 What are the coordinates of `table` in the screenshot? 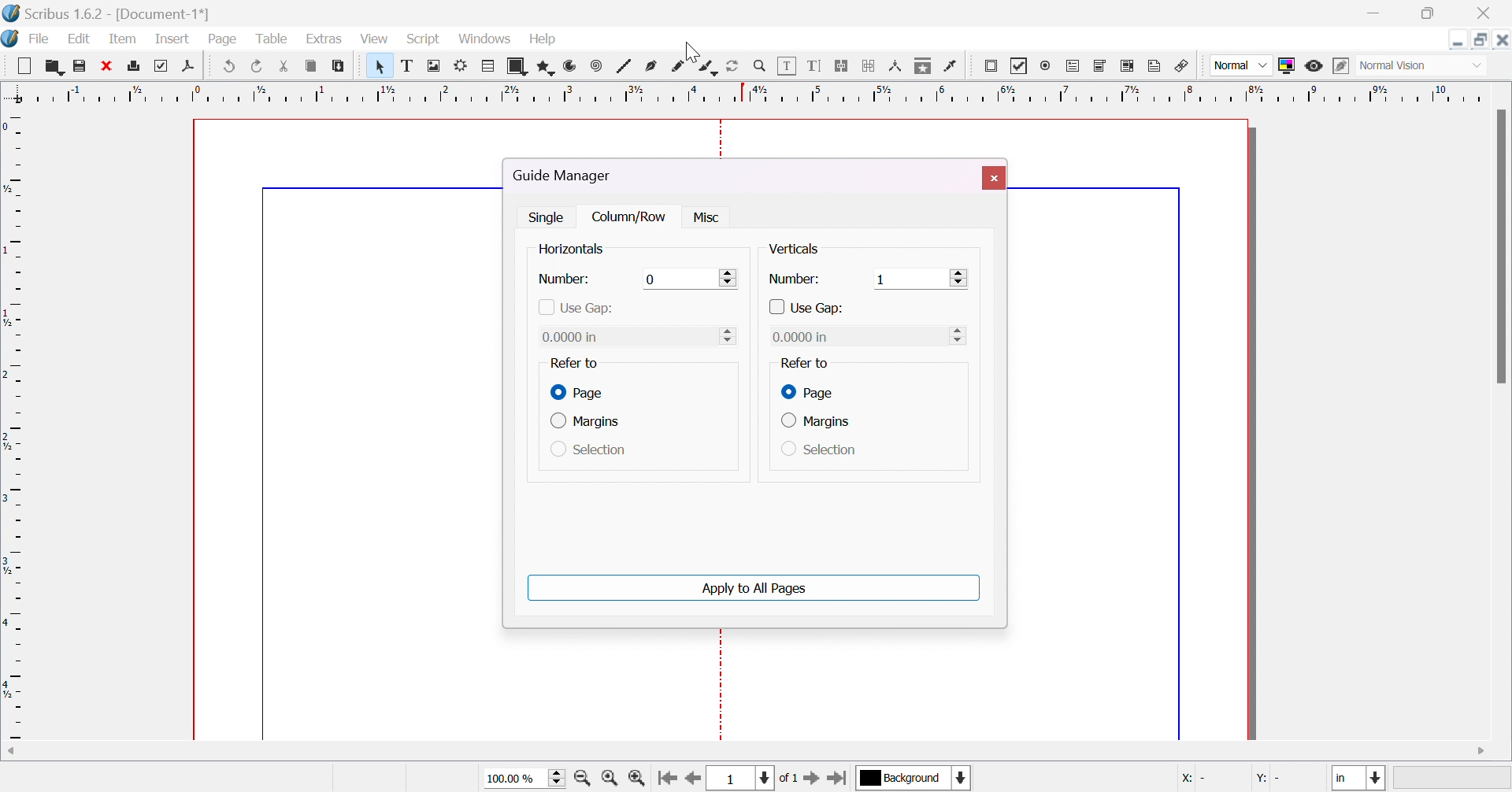 It's located at (275, 40).